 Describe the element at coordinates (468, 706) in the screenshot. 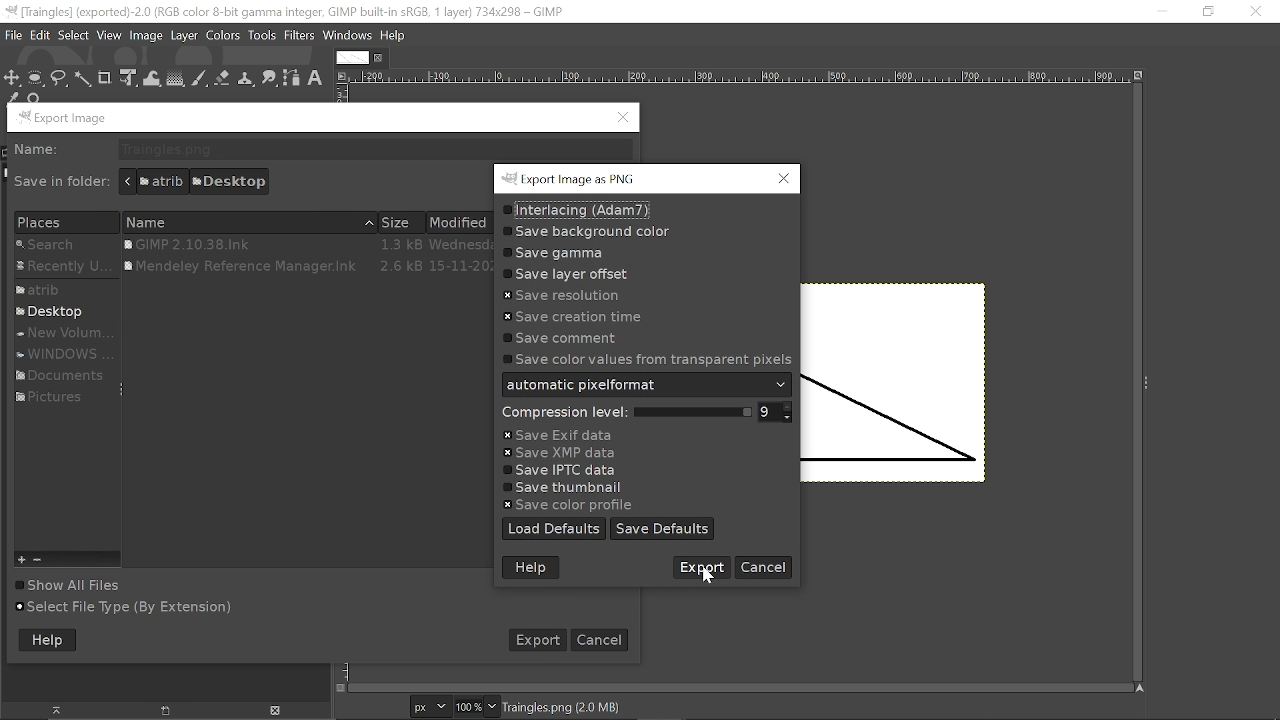

I see `Current zoom` at that location.